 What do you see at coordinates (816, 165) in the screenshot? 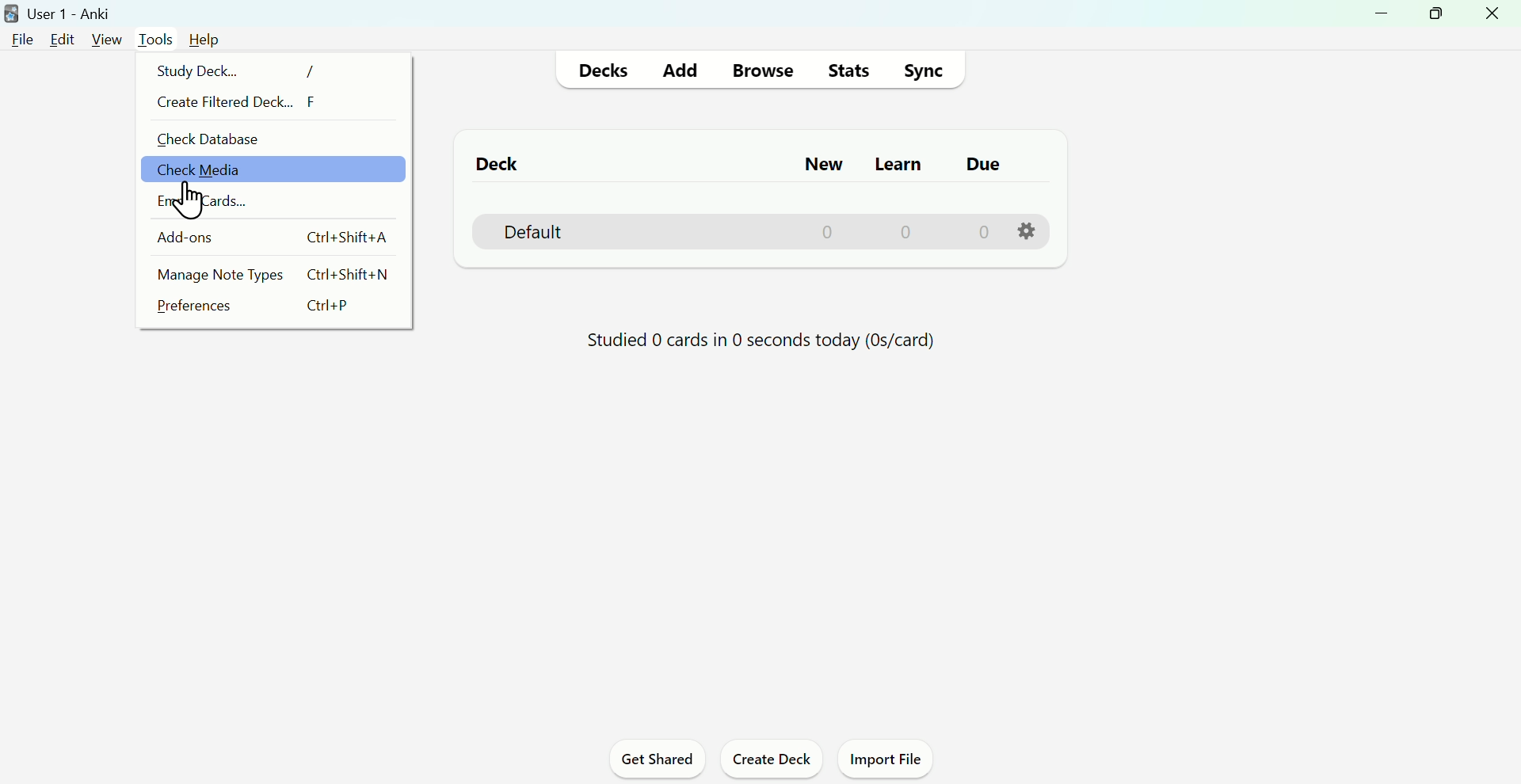
I see `New` at bounding box center [816, 165].